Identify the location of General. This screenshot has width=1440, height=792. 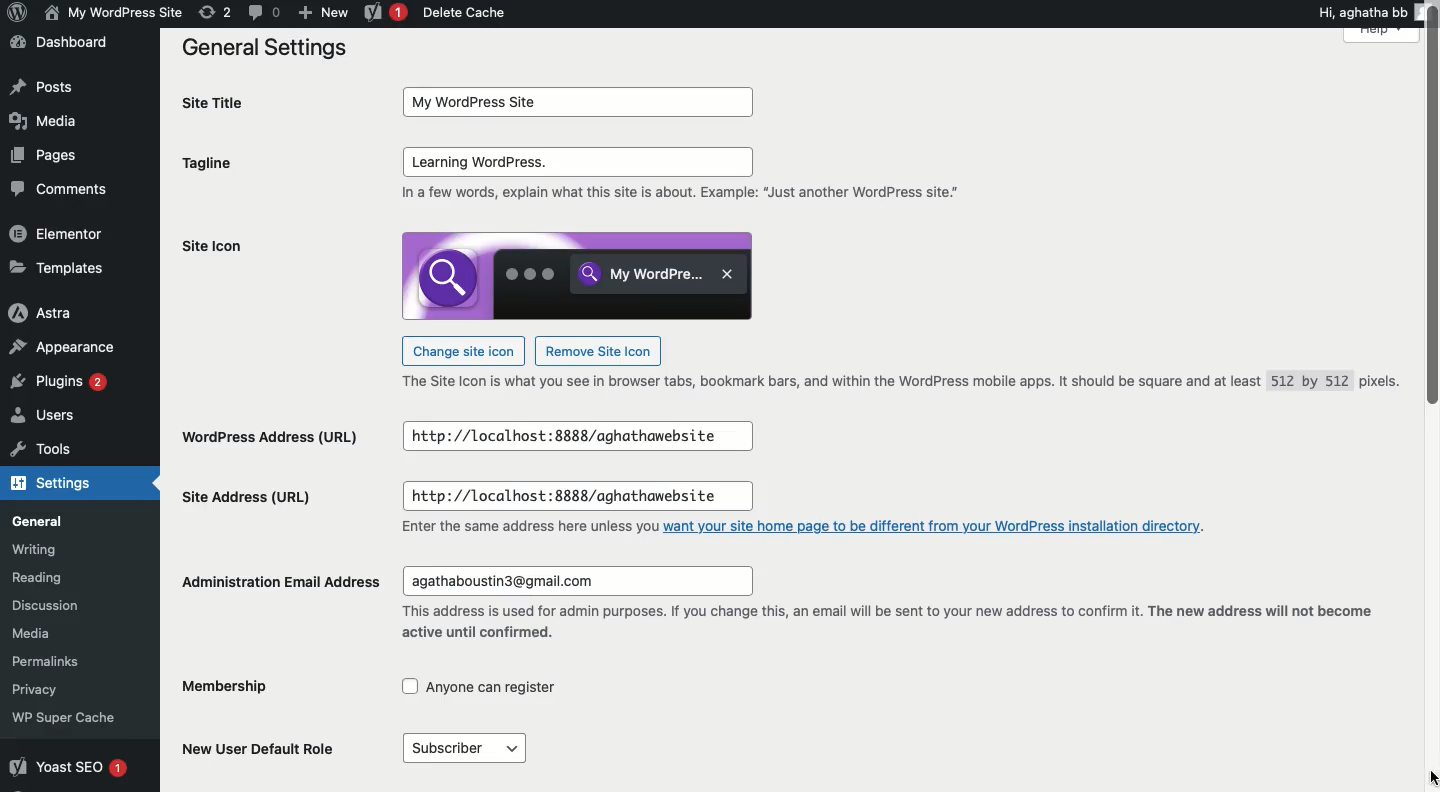
(64, 520).